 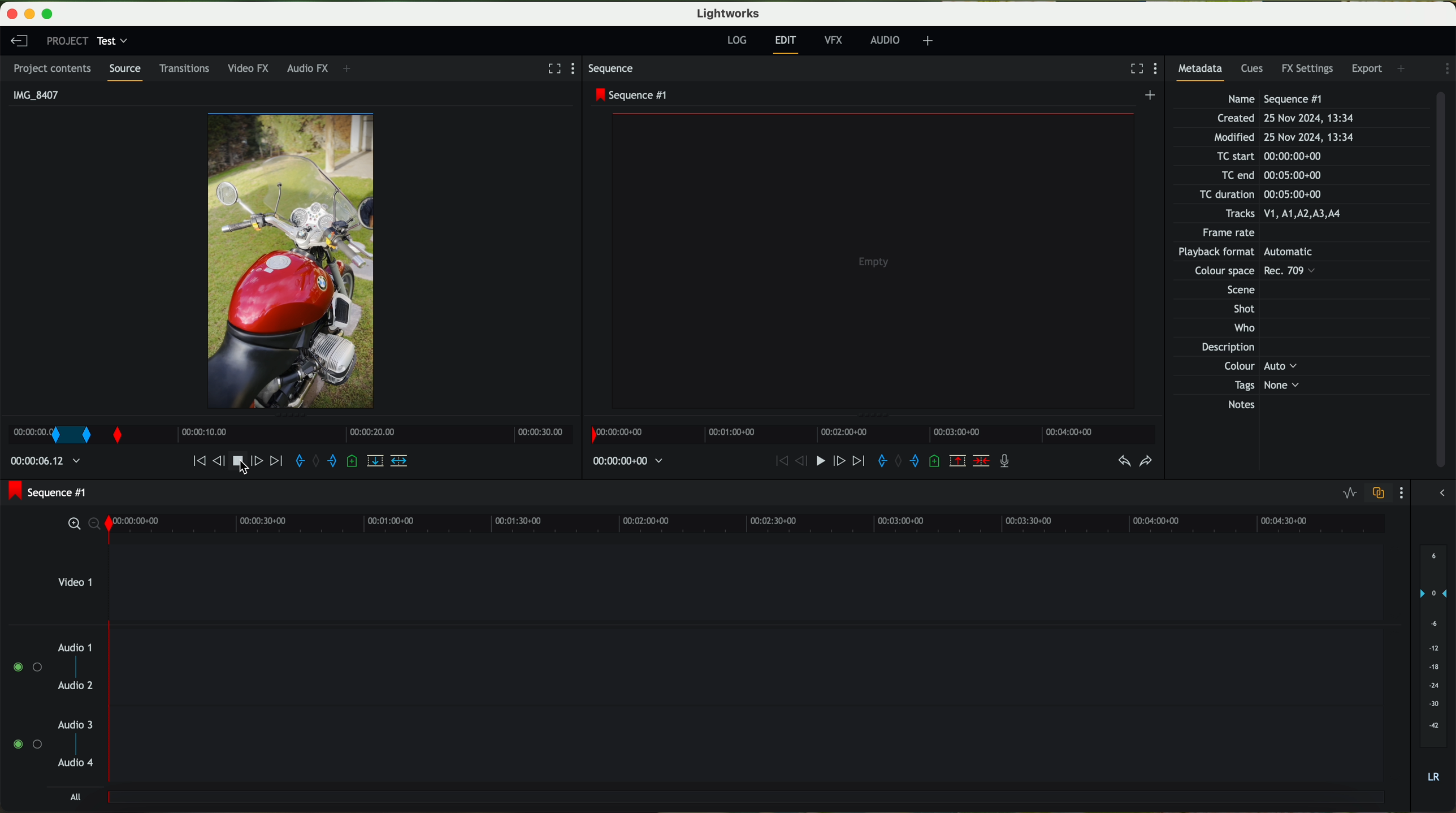 What do you see at coordinates (630, 461) in the screenshot?
I see `time` at bounding box center [630, 461].